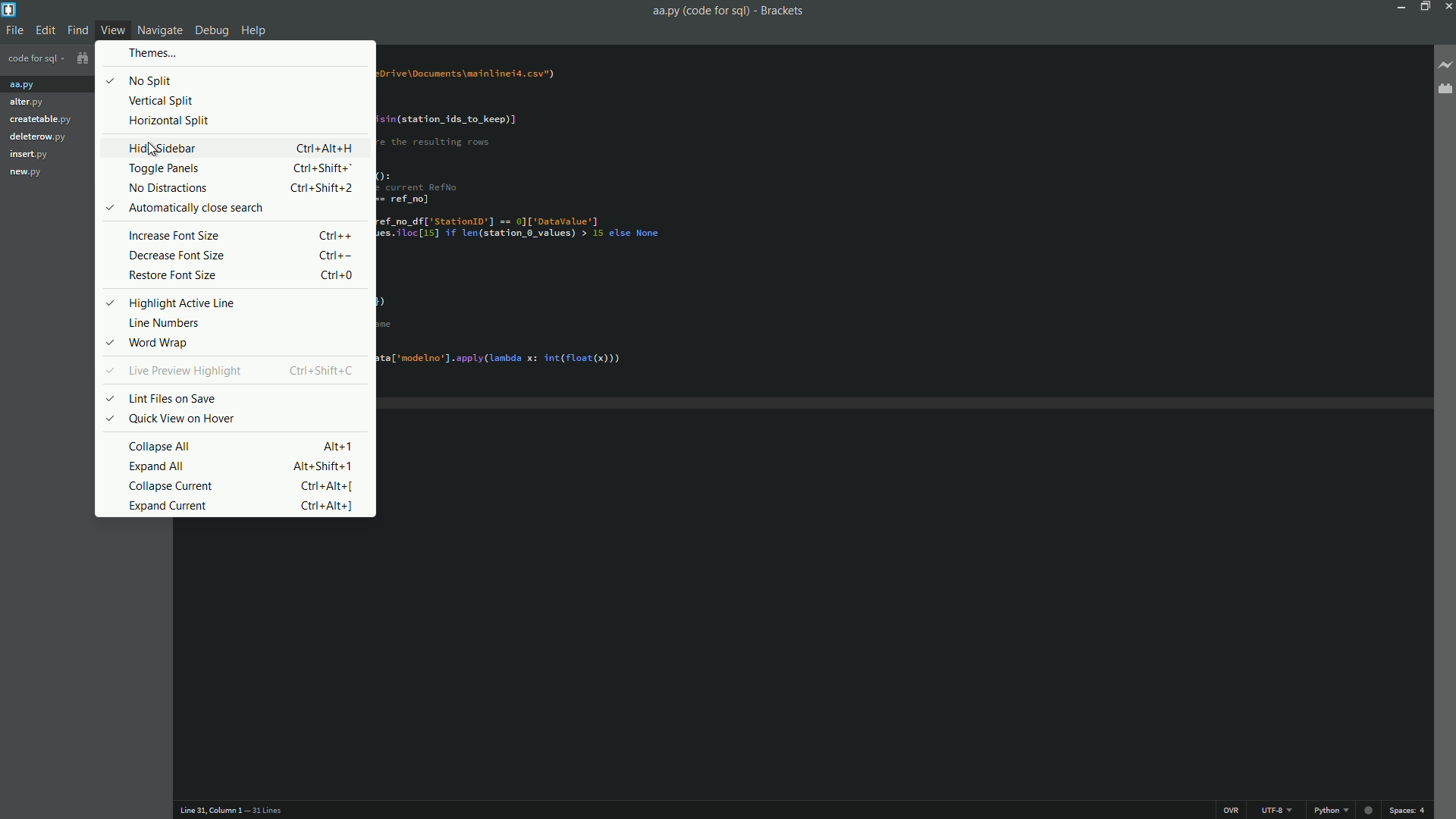 This screenshot has height=819, width=1456. I want to click on file menu, so click(12, 30).